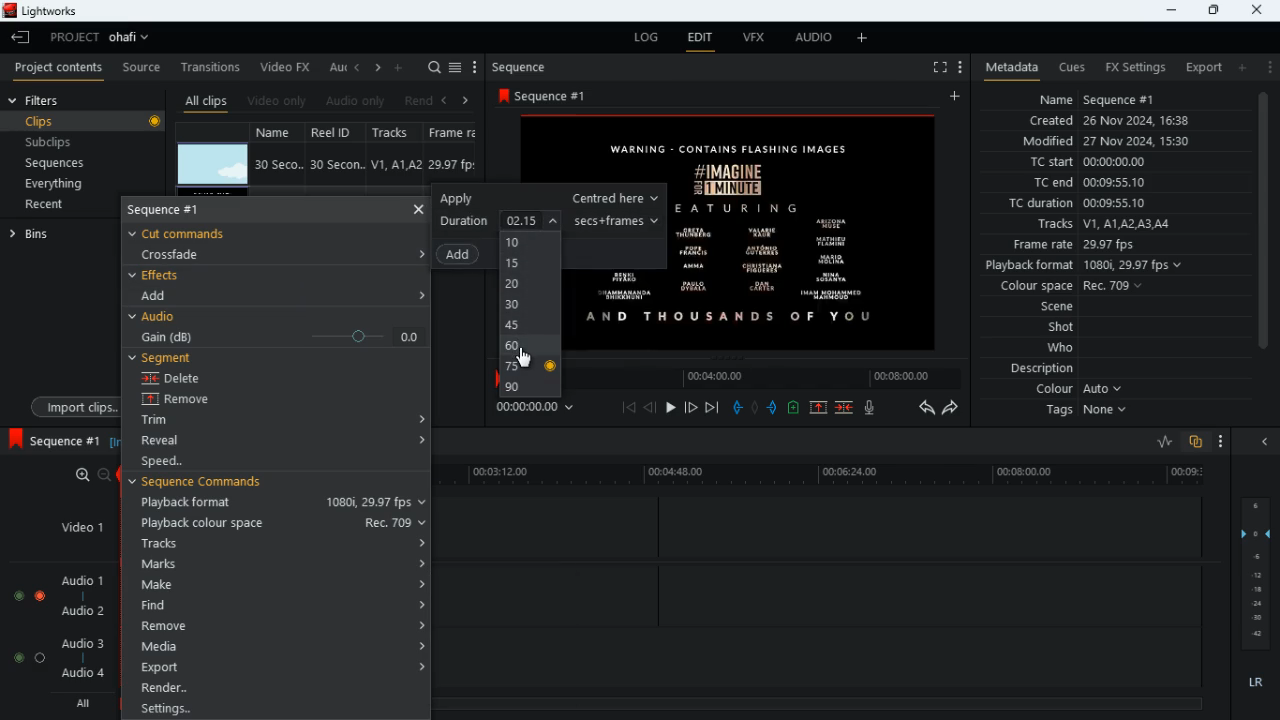  I want to click on make, so click(278, 585).